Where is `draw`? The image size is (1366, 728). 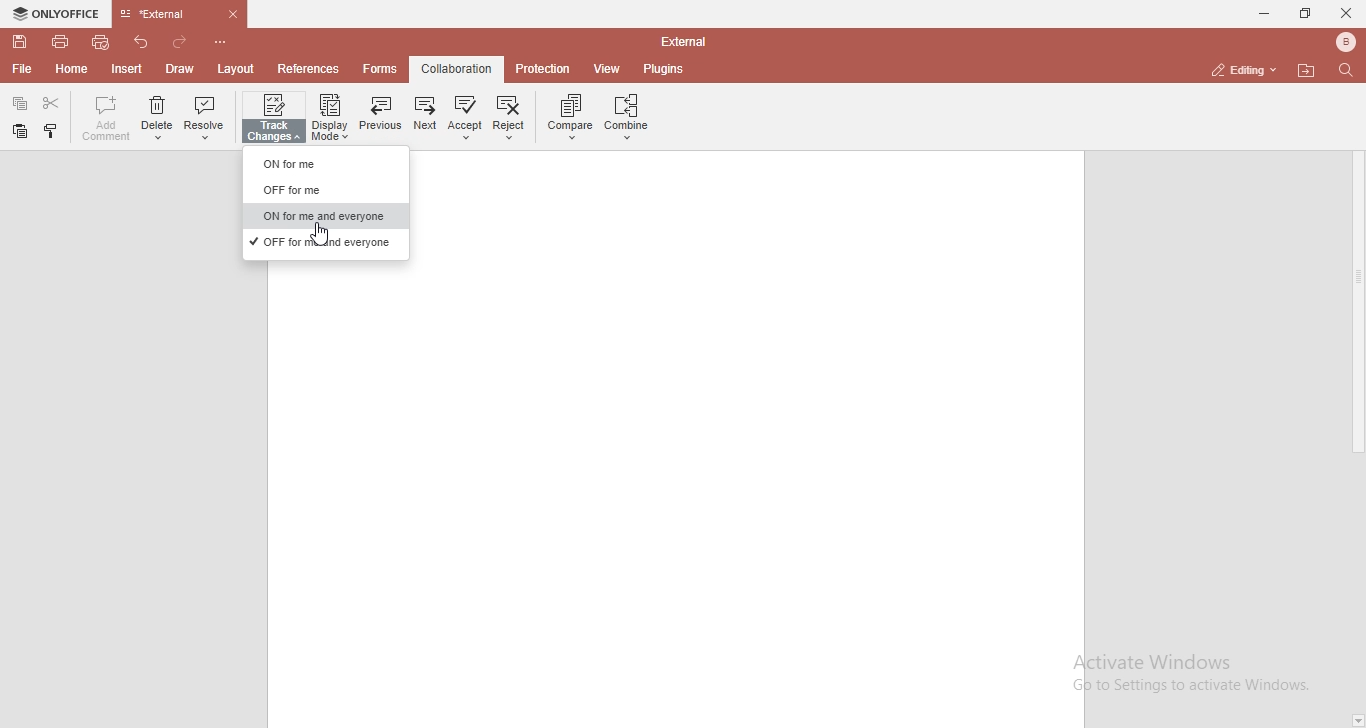
draw is located at coordinates (181, 68).